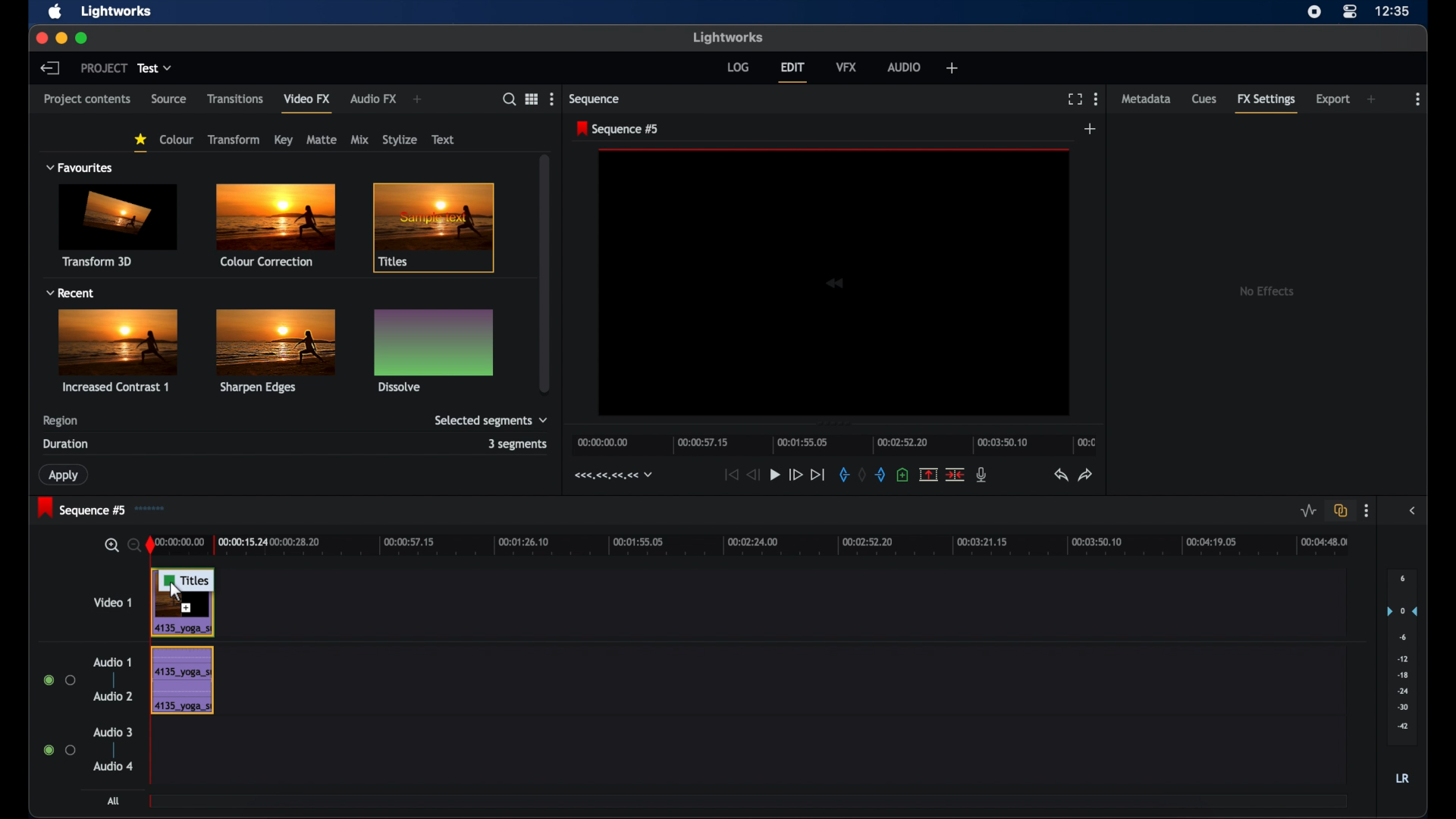 The height and width of the screenshot is (819, 1456). I want to click on rewind, so click(755, 475).